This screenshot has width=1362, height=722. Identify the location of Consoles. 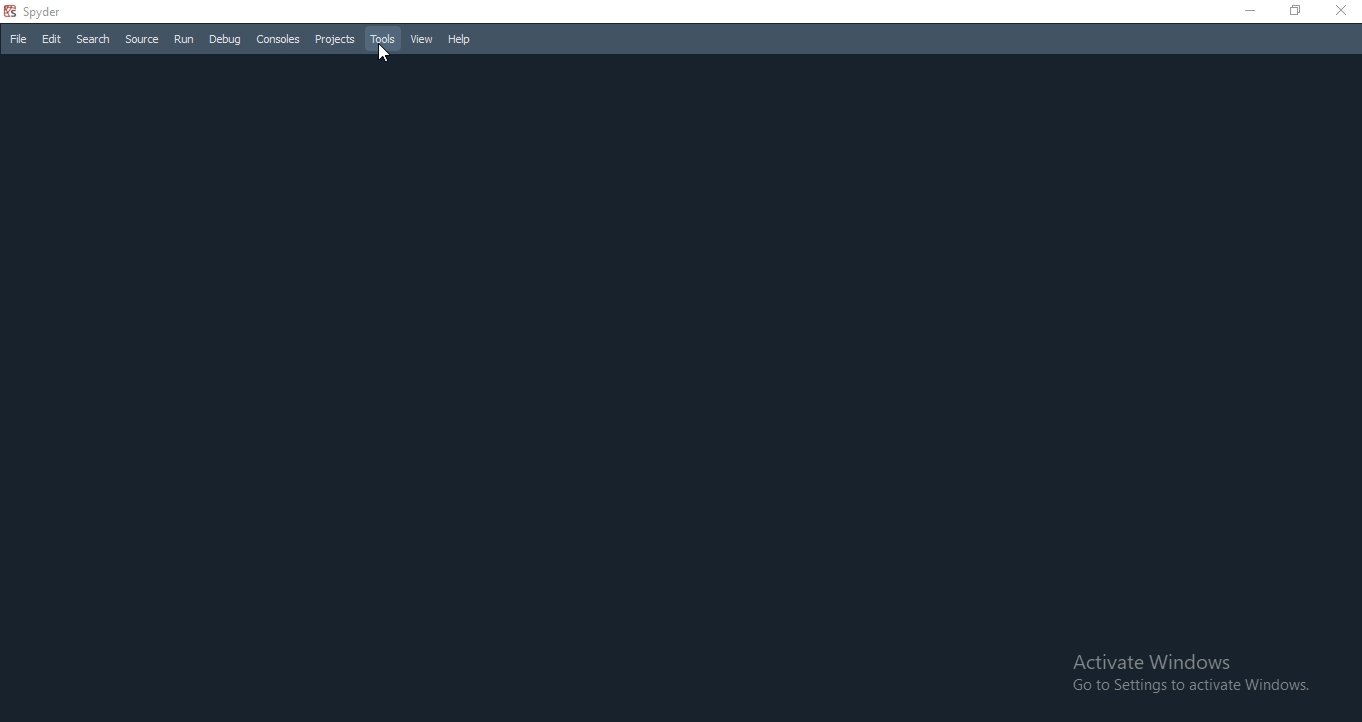
(280, 39).